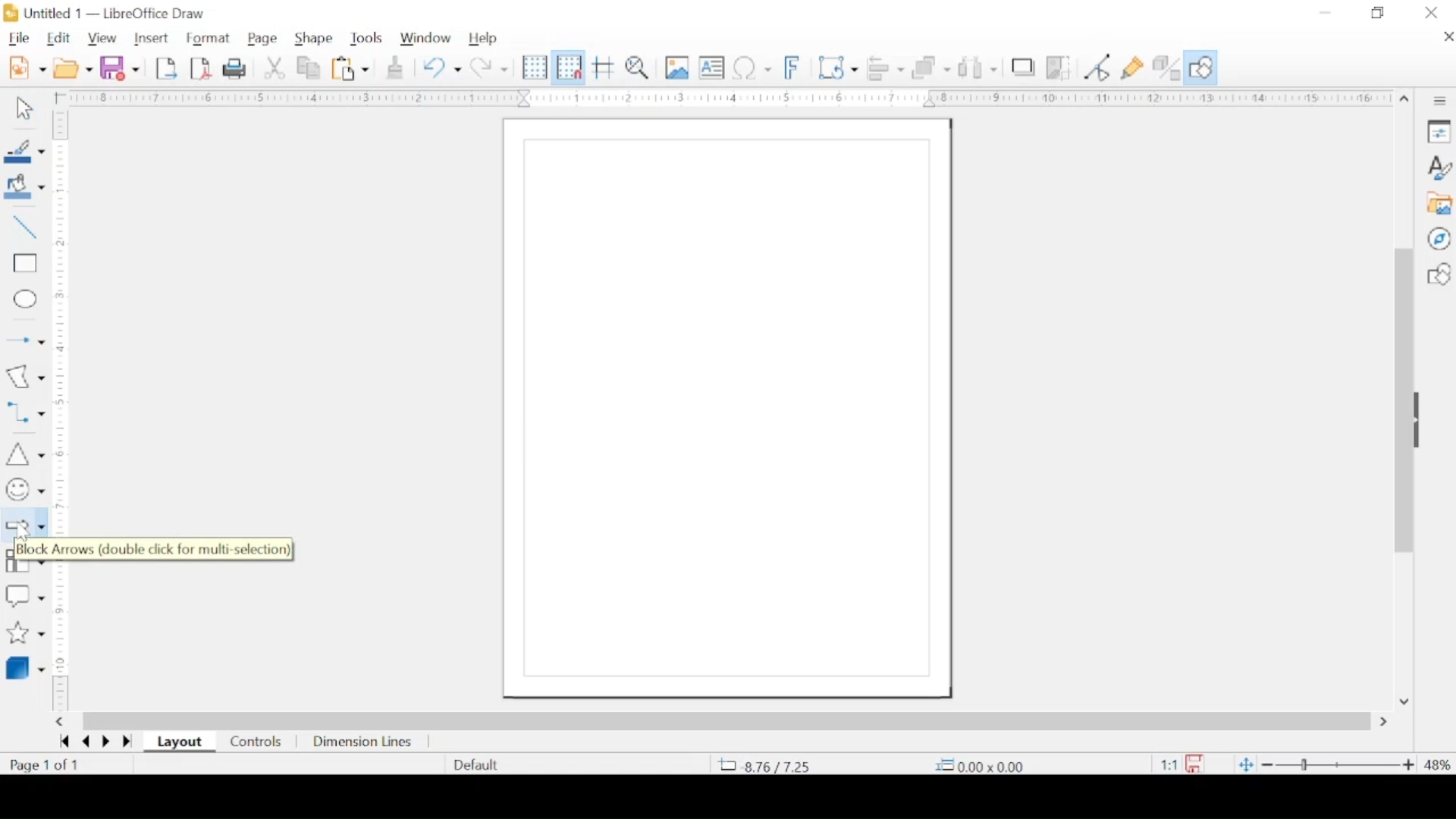  I want to click on align, so click(885, 67).